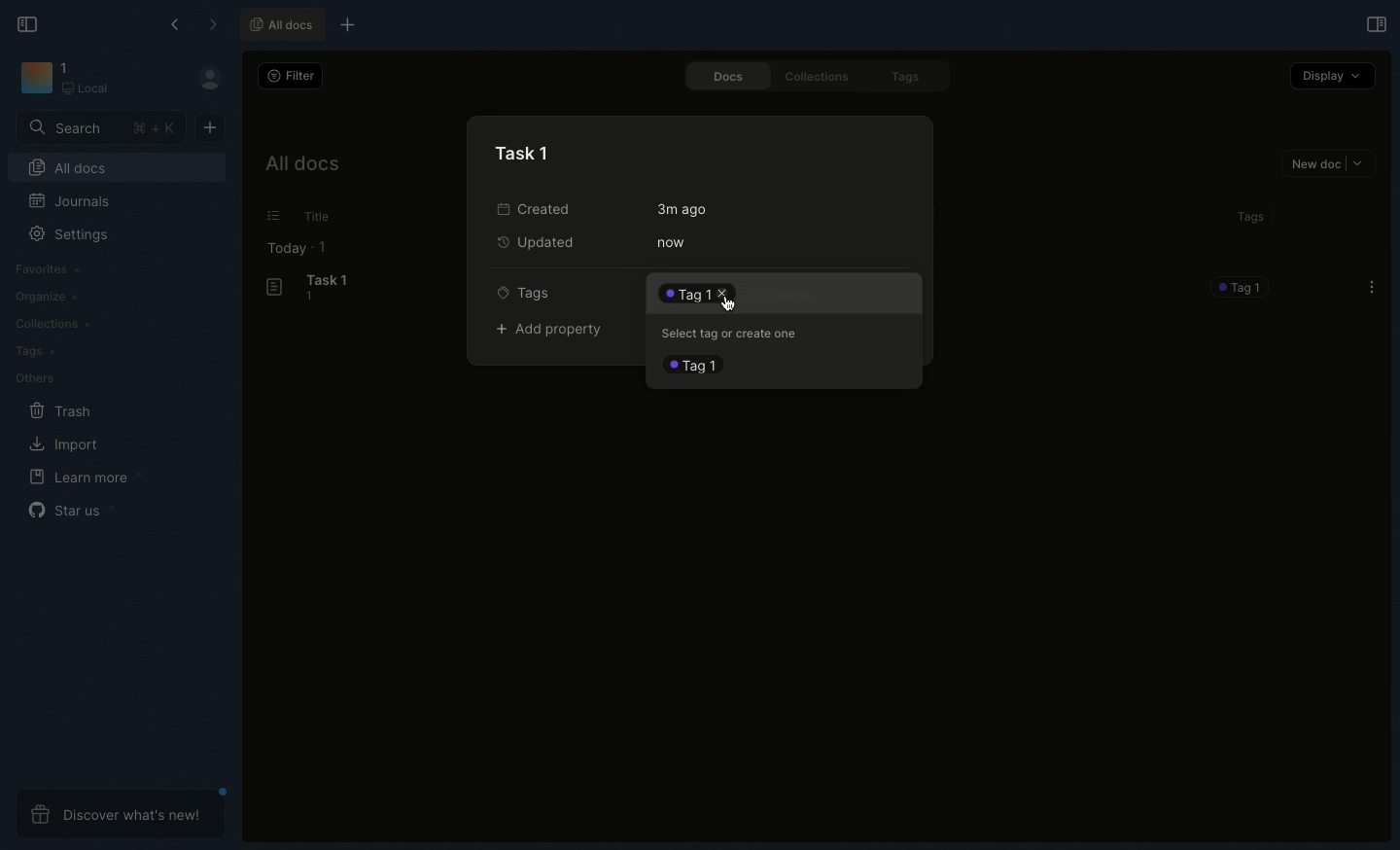 The width and height of the screenshot is (1400, 850). Describe the element at coordinates (212, 24) in the screenshot. I see `Right arrow` at that location.